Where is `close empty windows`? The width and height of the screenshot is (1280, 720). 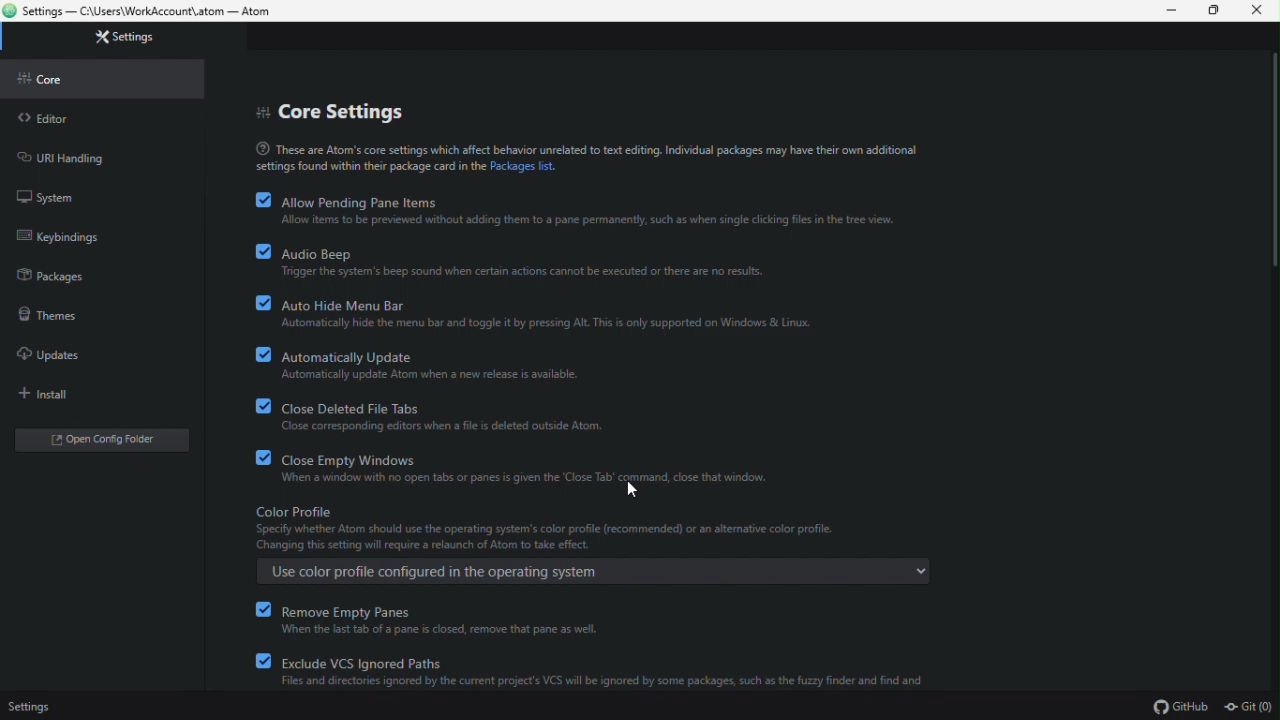
close empty windows is located at coordinates (534, 470).